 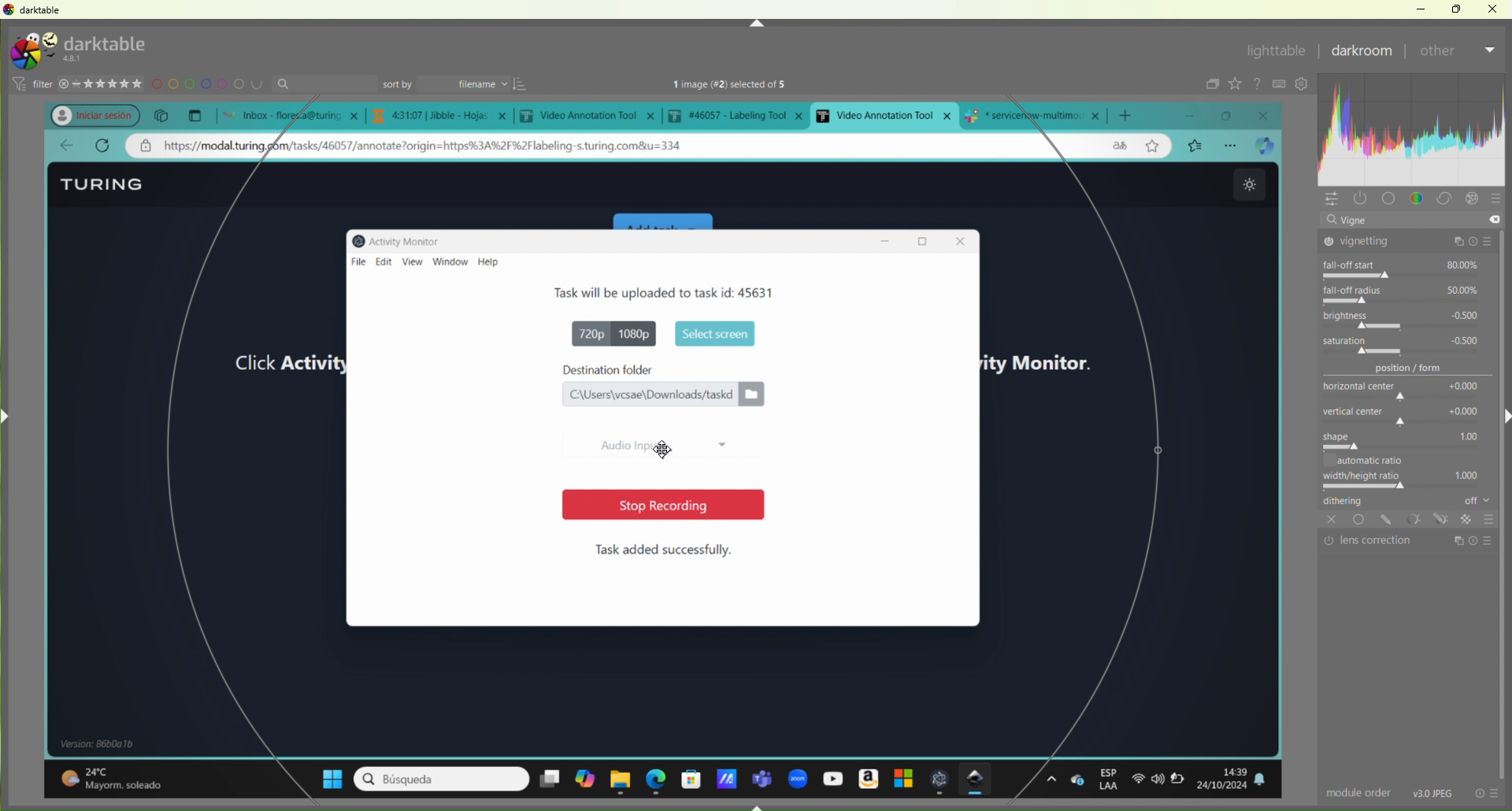 What do you see at coordinates (324, 776) in the screenshot?
I see `windows` at bounding box center [324, 776].